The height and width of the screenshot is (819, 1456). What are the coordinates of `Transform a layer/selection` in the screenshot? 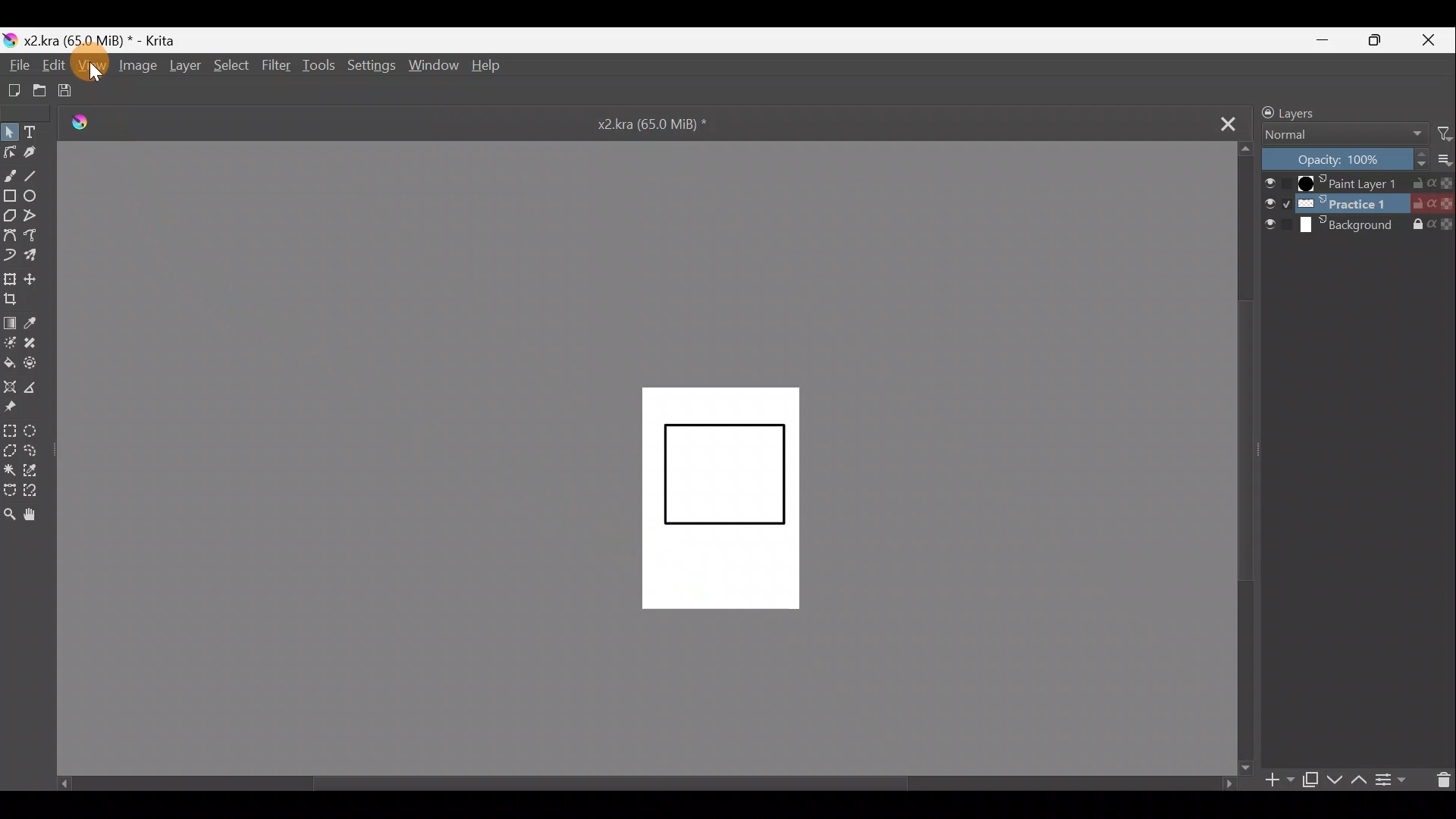 It's located at (11, 281).